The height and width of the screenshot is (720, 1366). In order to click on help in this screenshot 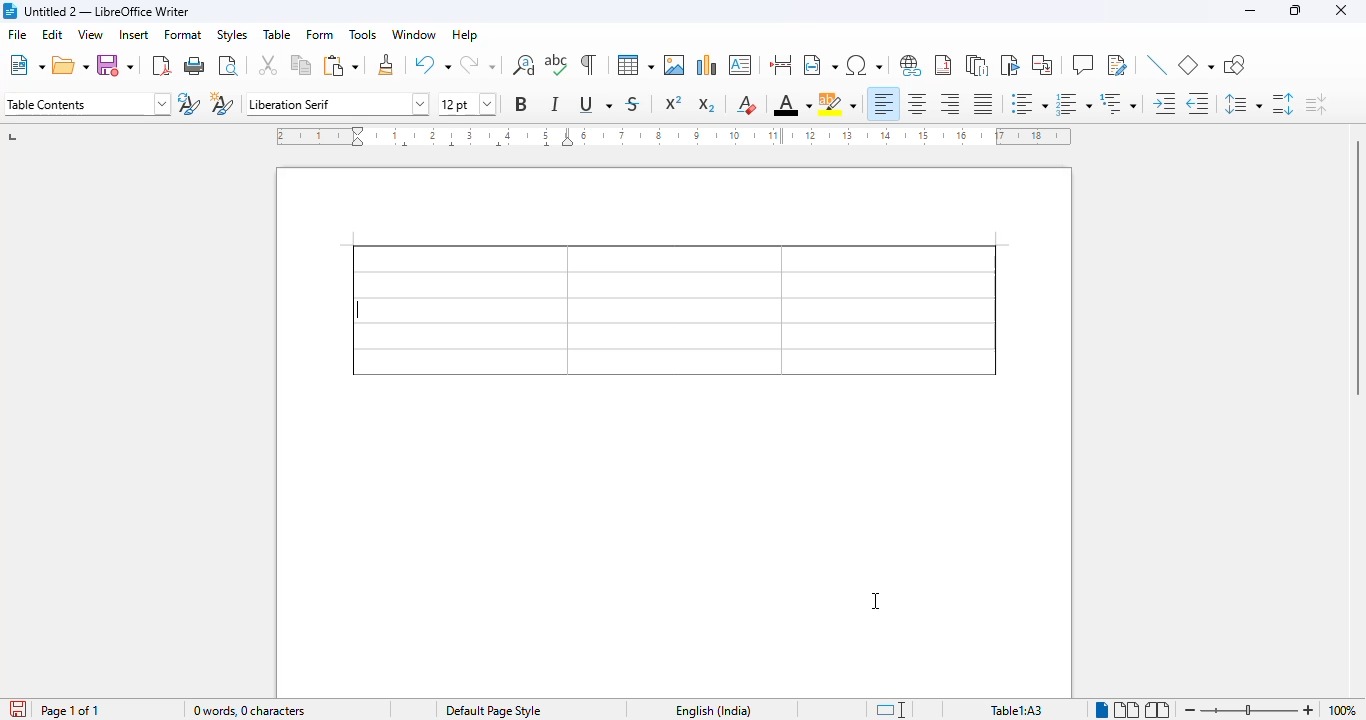, I will do `click(464, 35)`.